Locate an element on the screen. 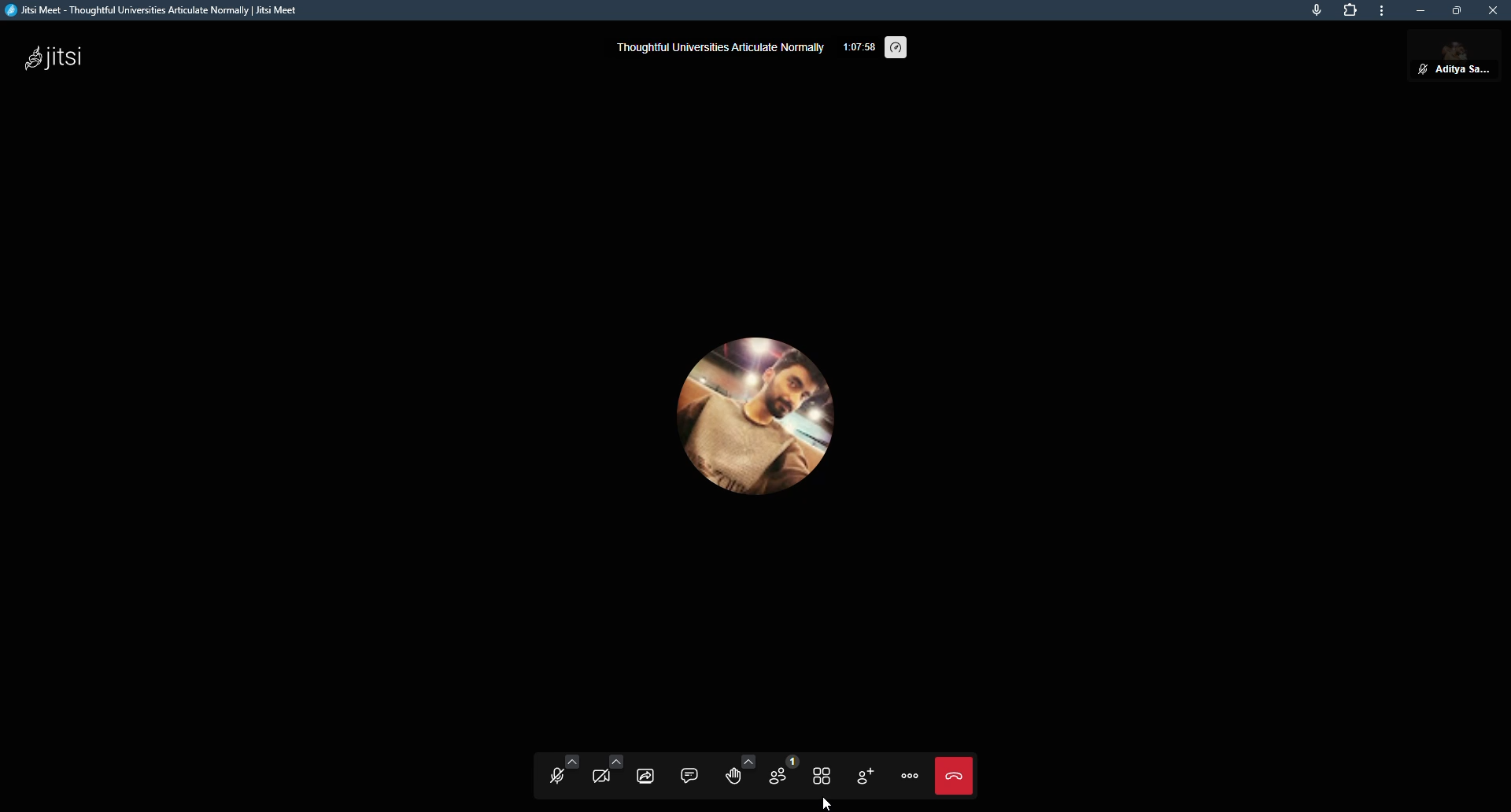 The height and width of the screenshot is (812, 1511). participants is located at coordinates (784, 773).